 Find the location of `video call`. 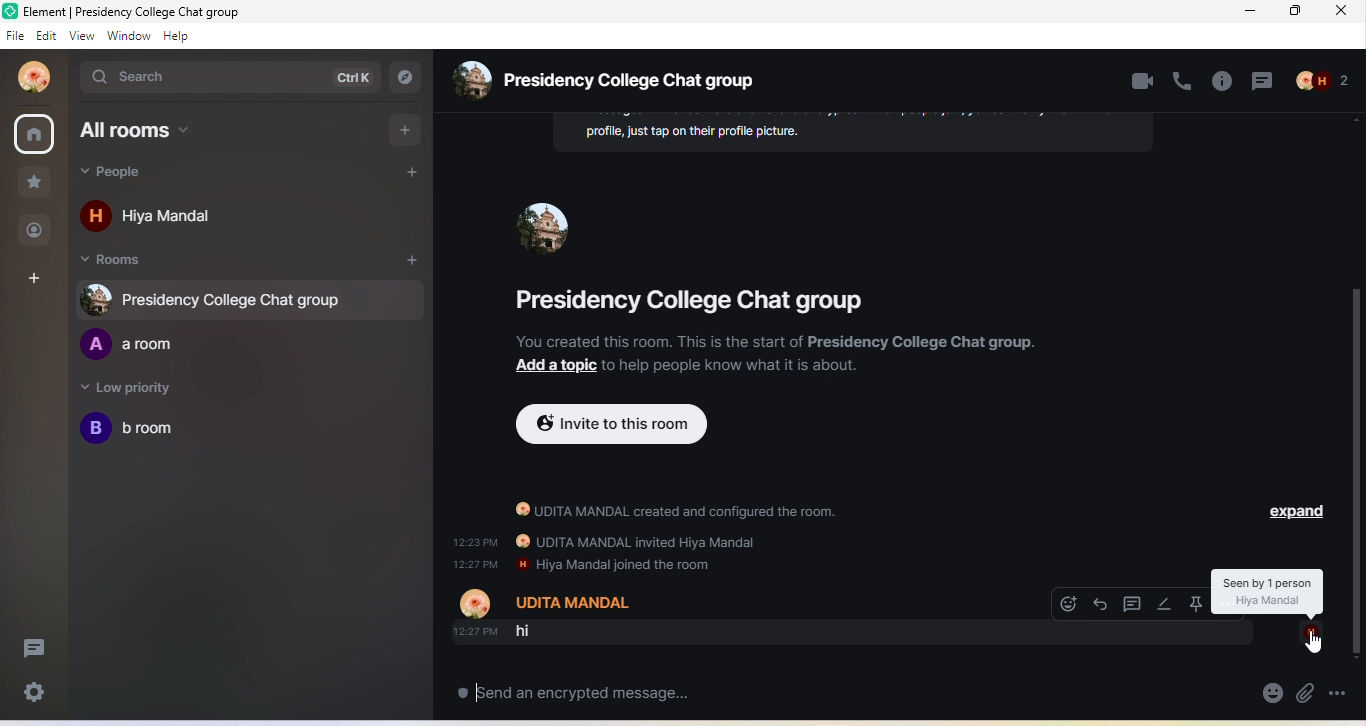

video call is located at coordinates (1142, 82).